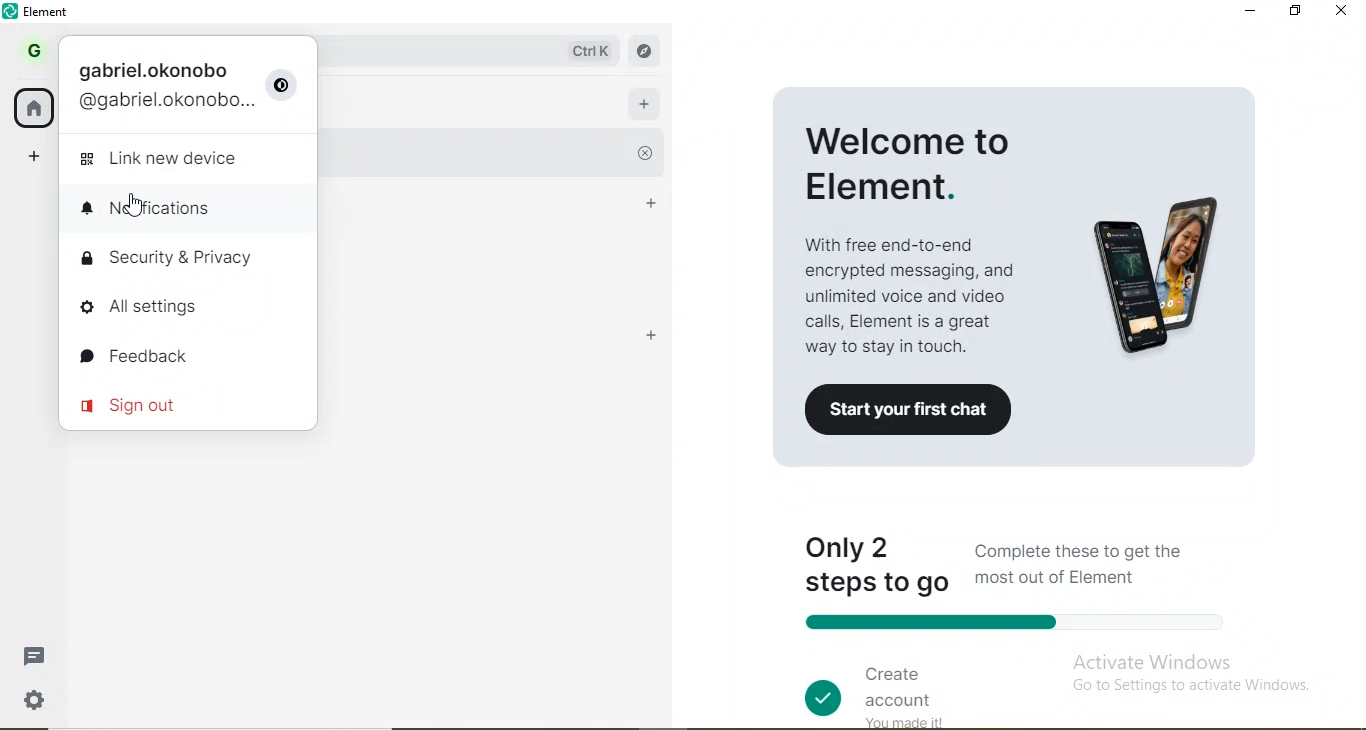 Image resolution: width=1366 pixels, height=730 pixels. What do you see at coordinates (197, 409) in the screenshot?
I see `sign out` at bounding box center [197, 409].